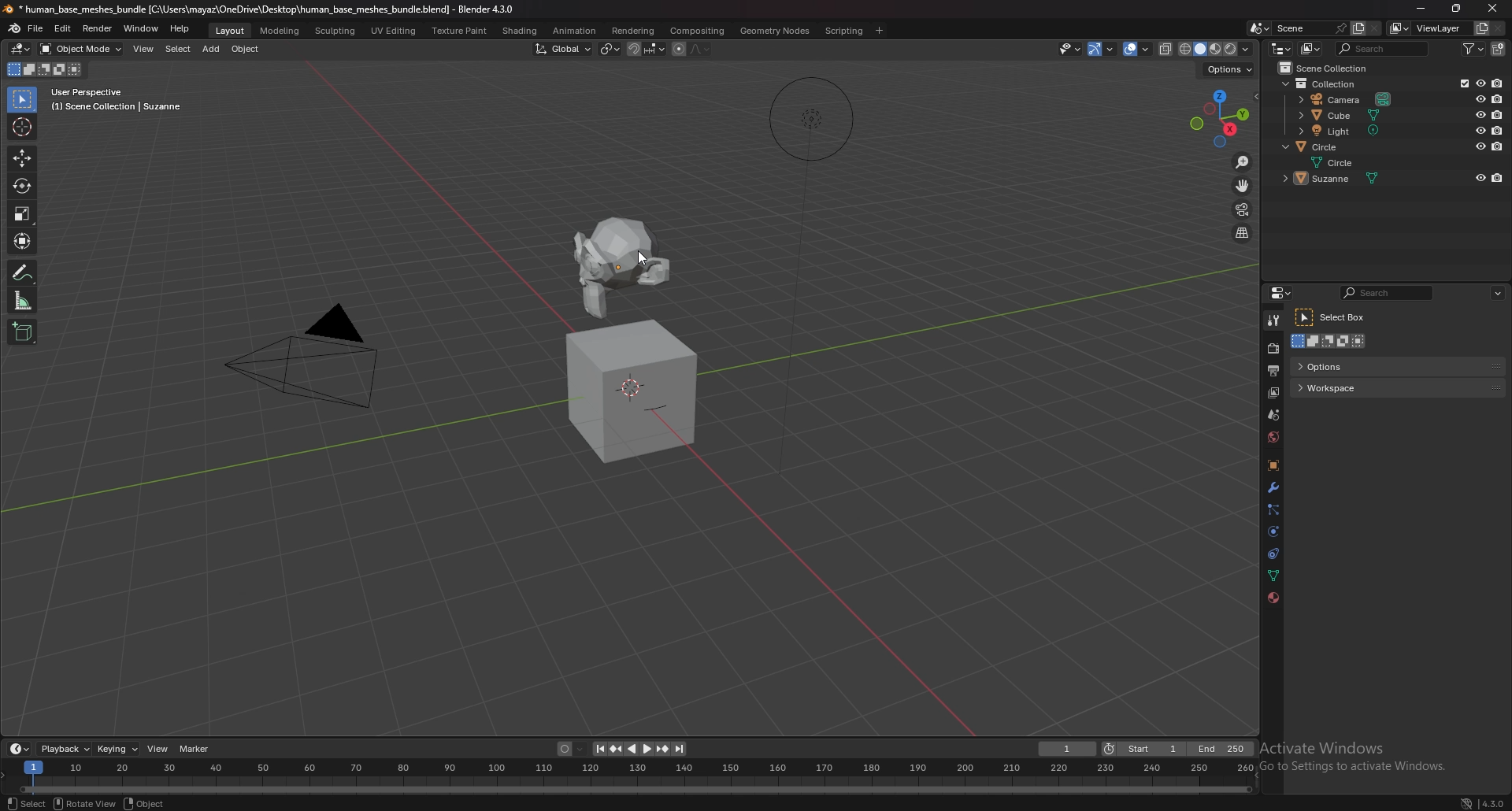  I want to click on select, so click(179, 49).